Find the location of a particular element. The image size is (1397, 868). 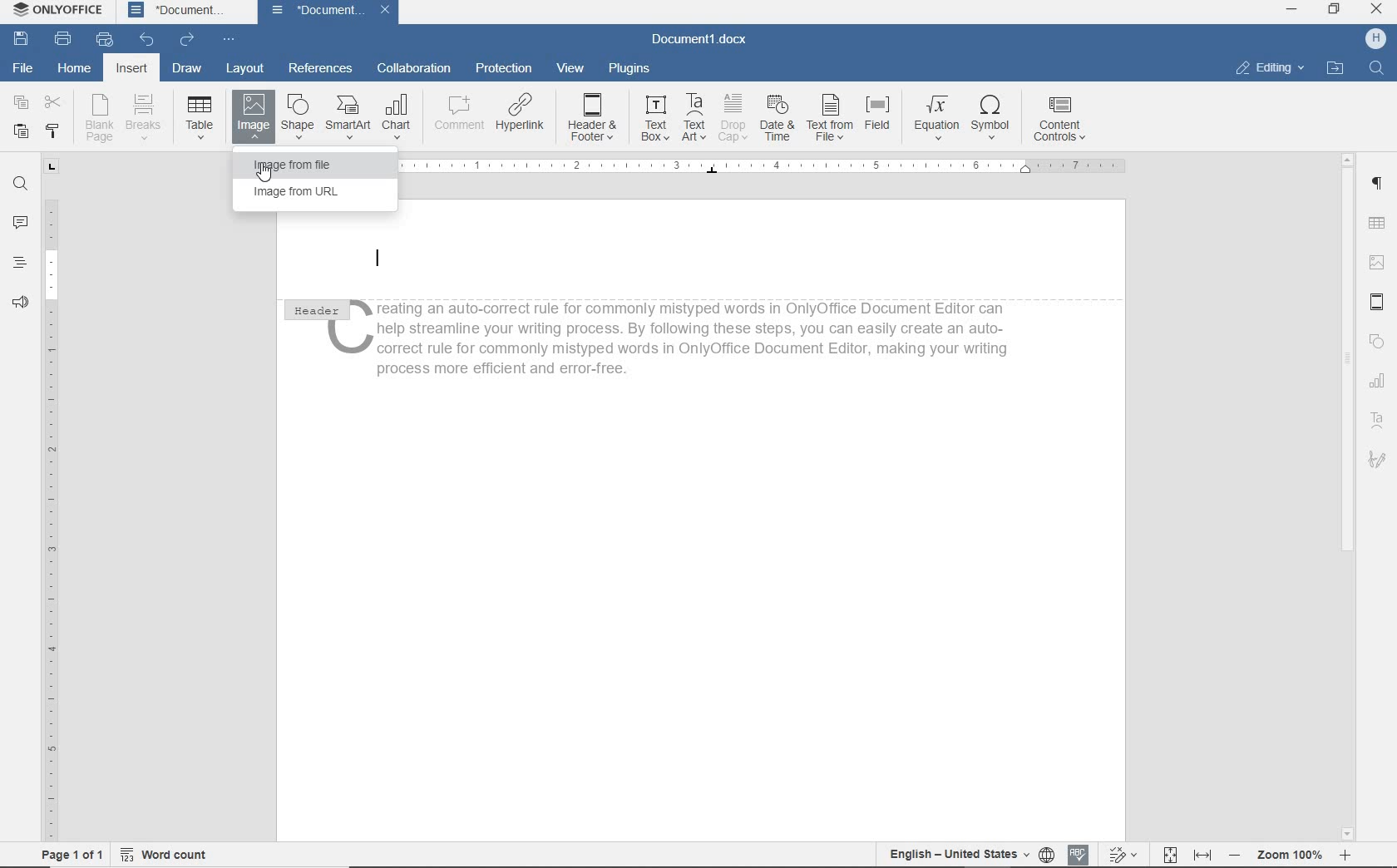

LAYOUT is located at coordinates (245, 68).